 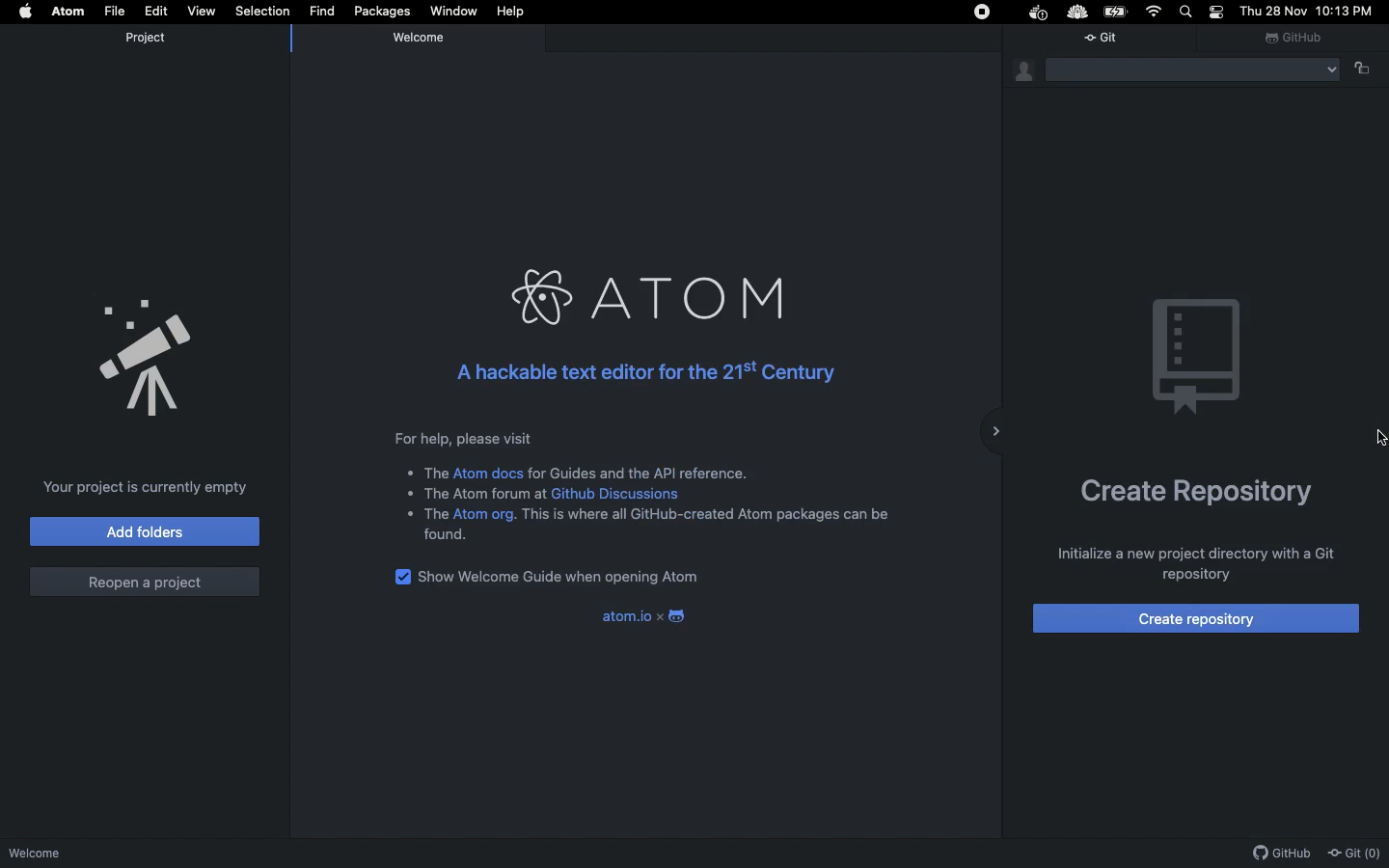 What do you see at coordinates (322, 12) in the screenshot?
I see `Find` at bounding box center [322, 12].